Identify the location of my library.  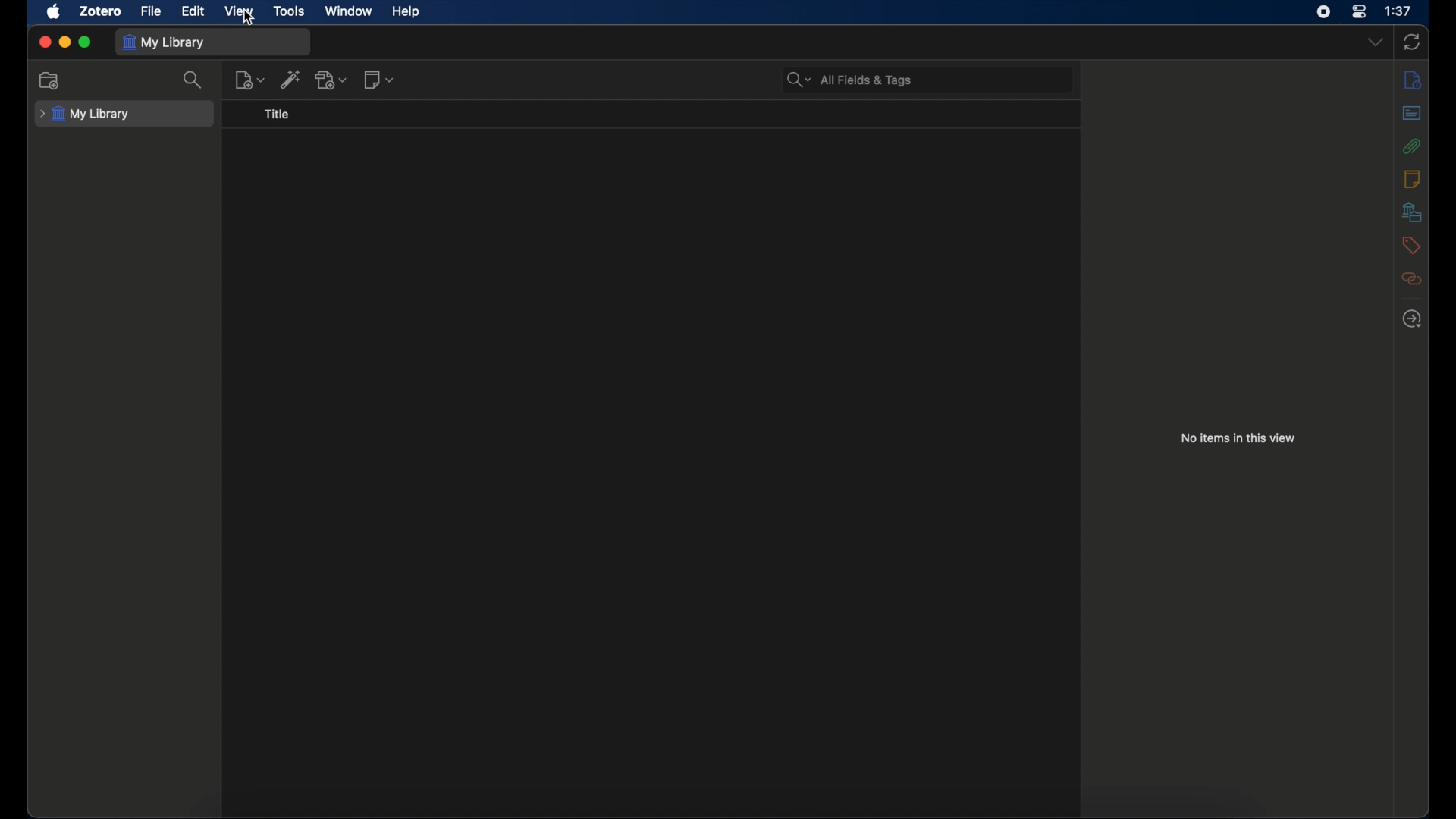
(85, 115).